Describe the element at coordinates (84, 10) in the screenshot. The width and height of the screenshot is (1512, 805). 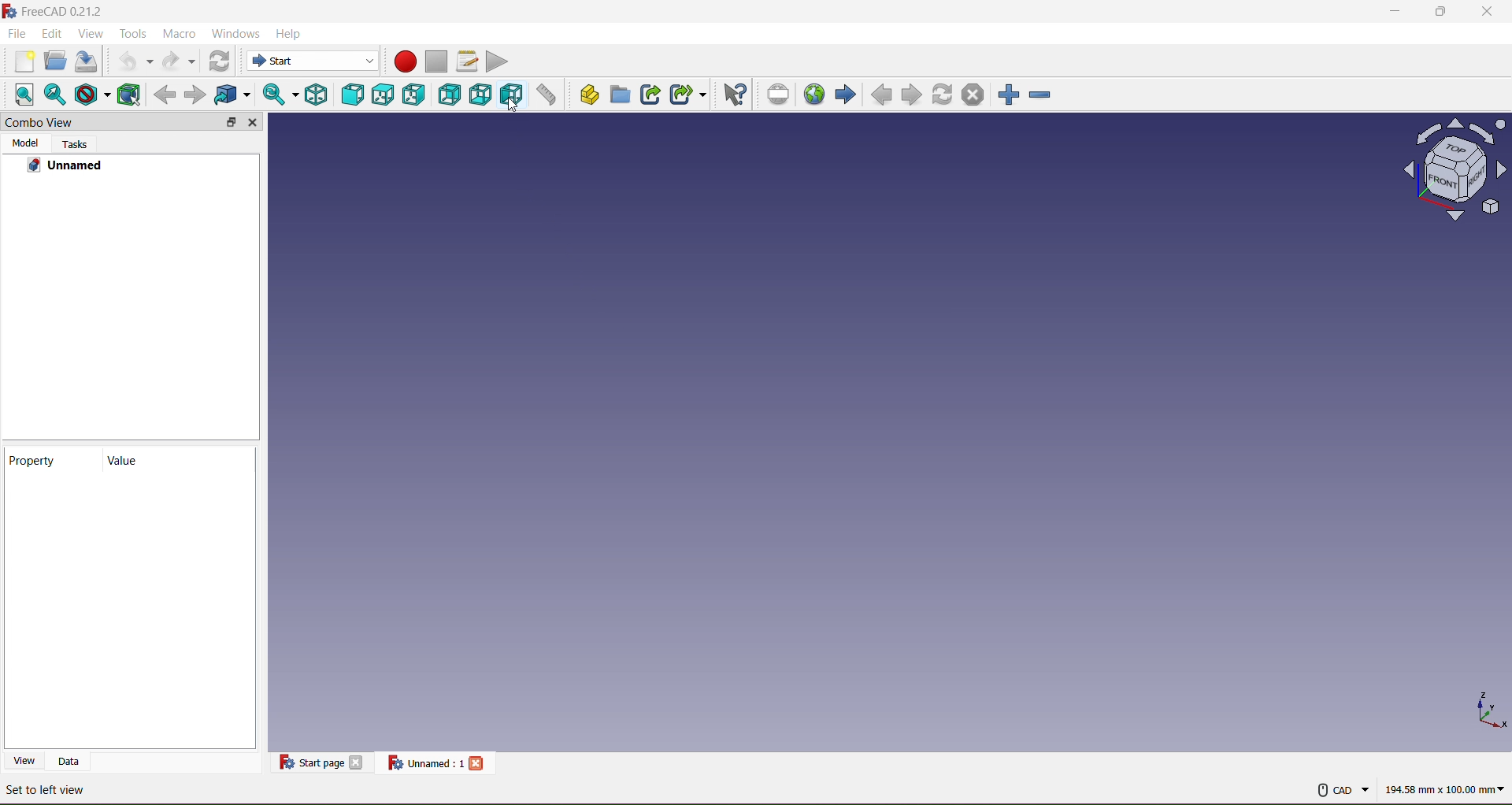
I see `freecad 021.2` at that location.